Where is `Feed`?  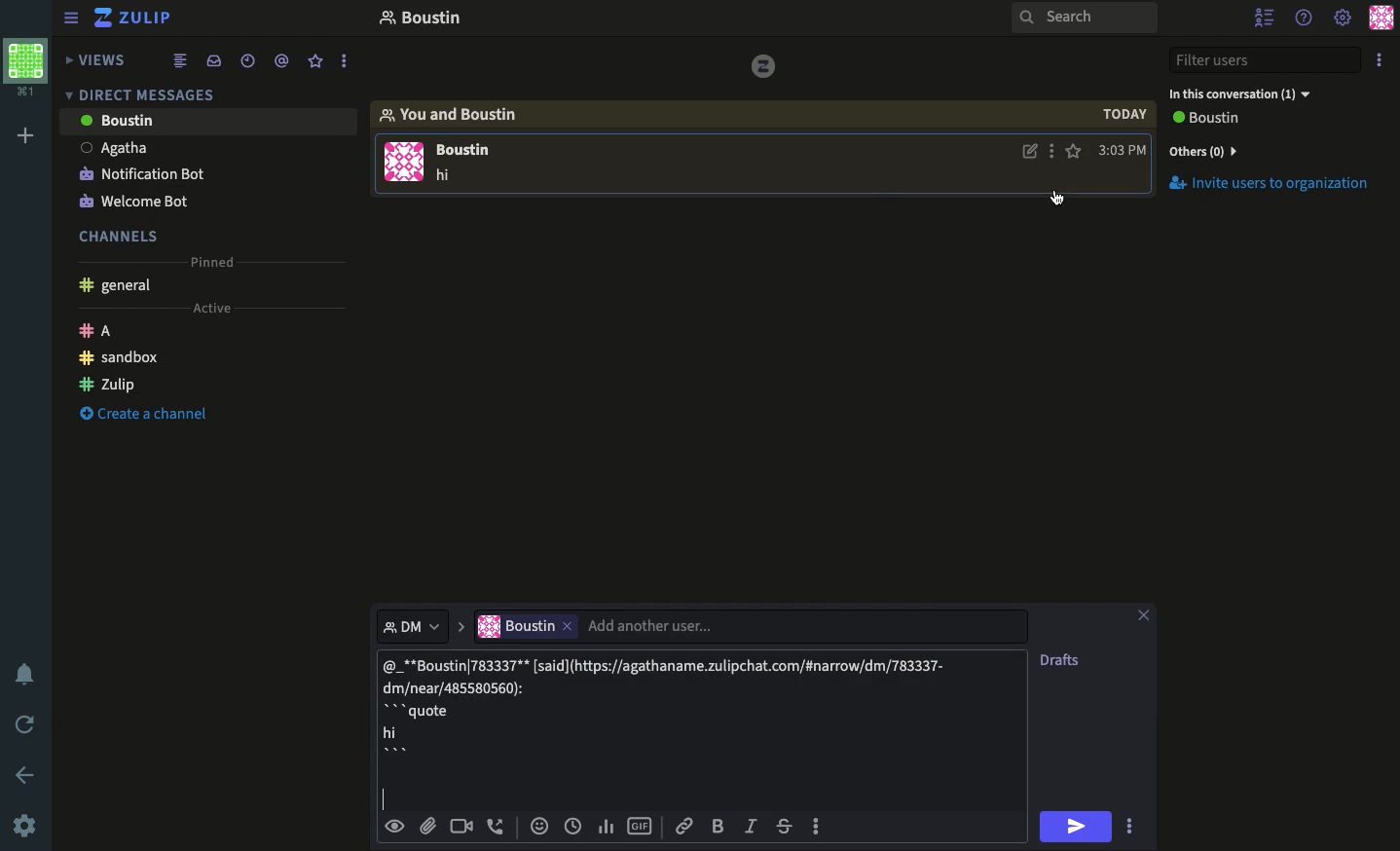 Feed is located at coordinates (183, 61).